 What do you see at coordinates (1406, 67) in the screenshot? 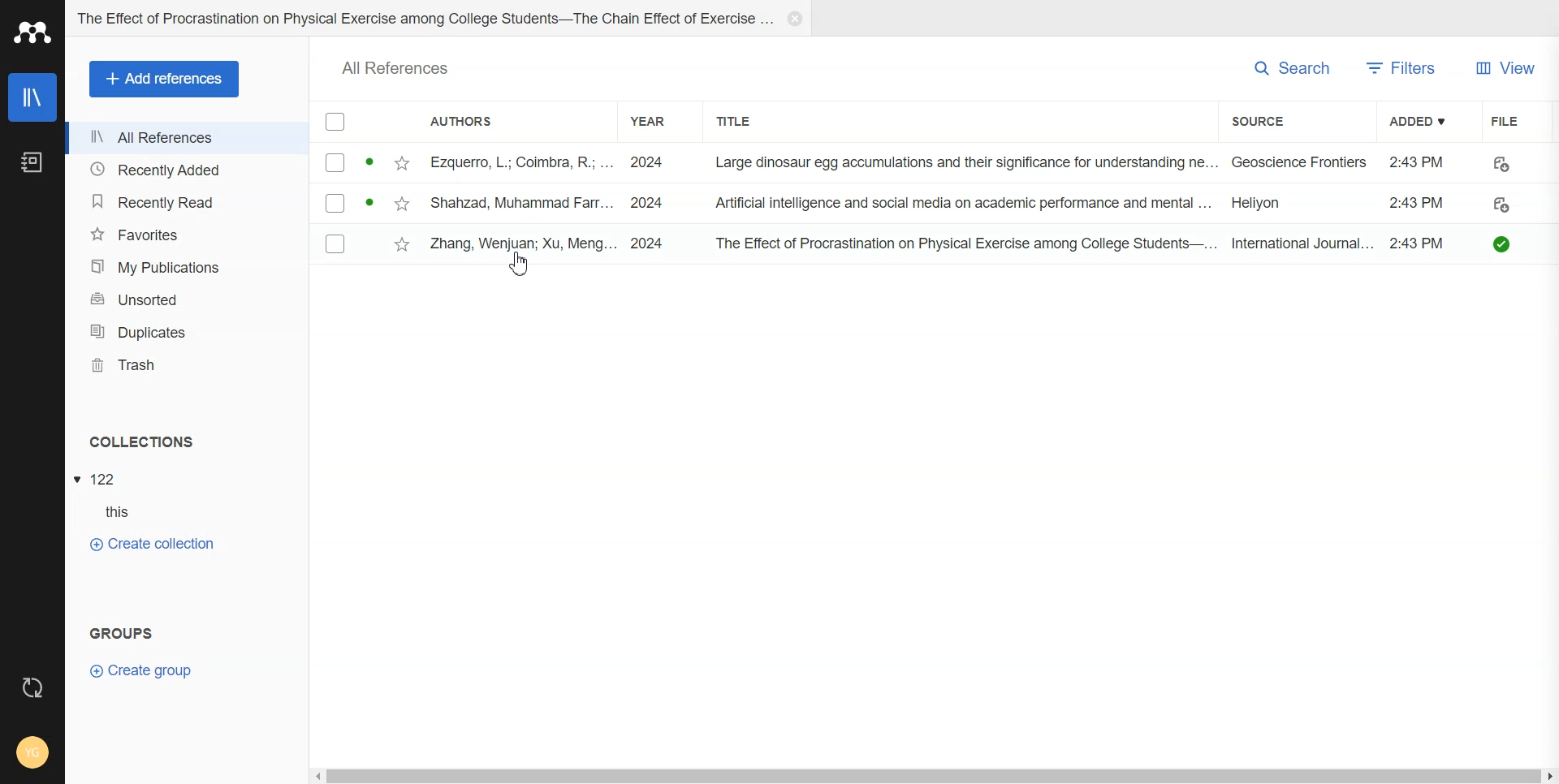
I see `Filters` at bounding box center [1406, 67].